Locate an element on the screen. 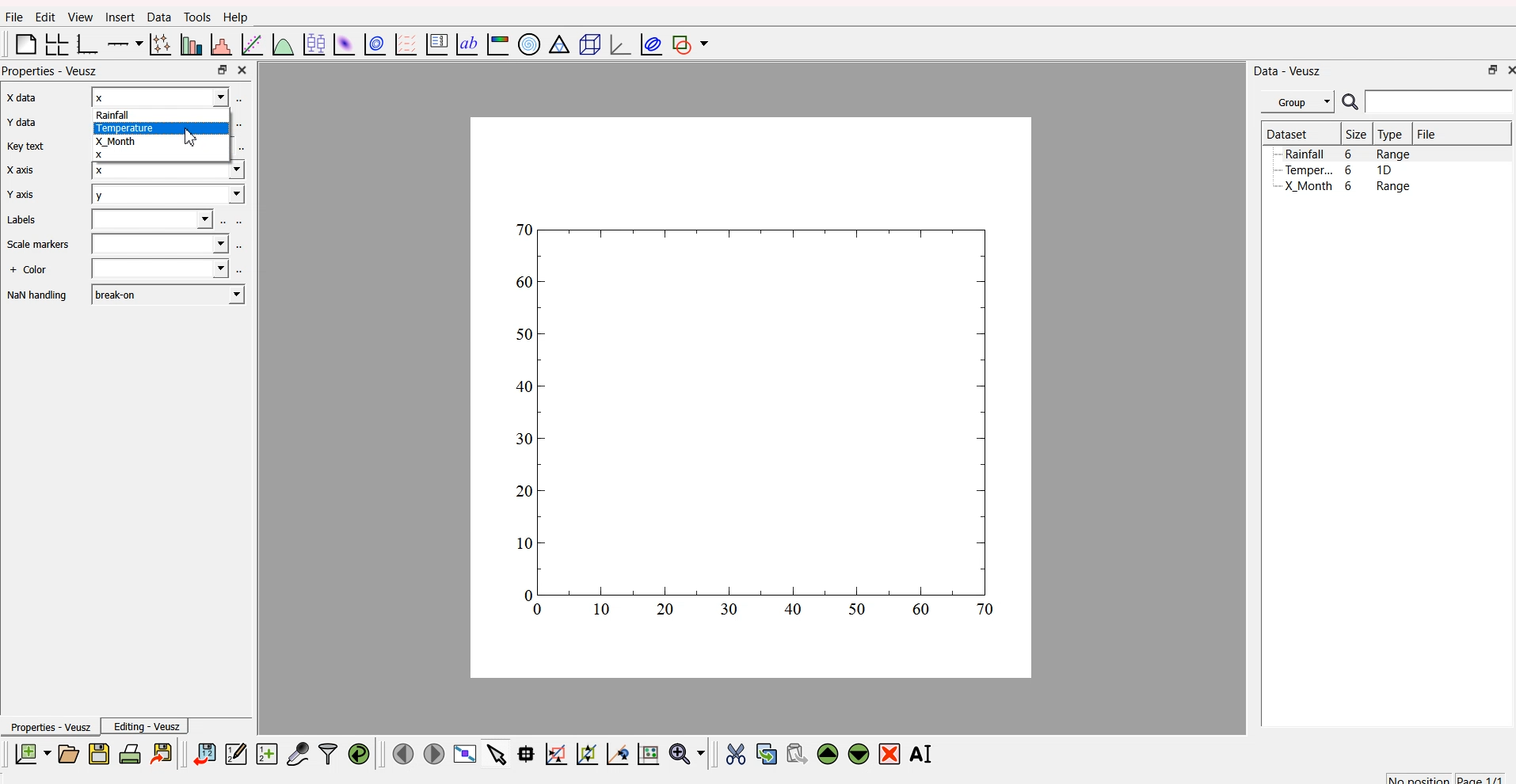 Image resolution: width=1516 pixels, height=784 pixels. select items from graph is located at coordinates (495, 755).